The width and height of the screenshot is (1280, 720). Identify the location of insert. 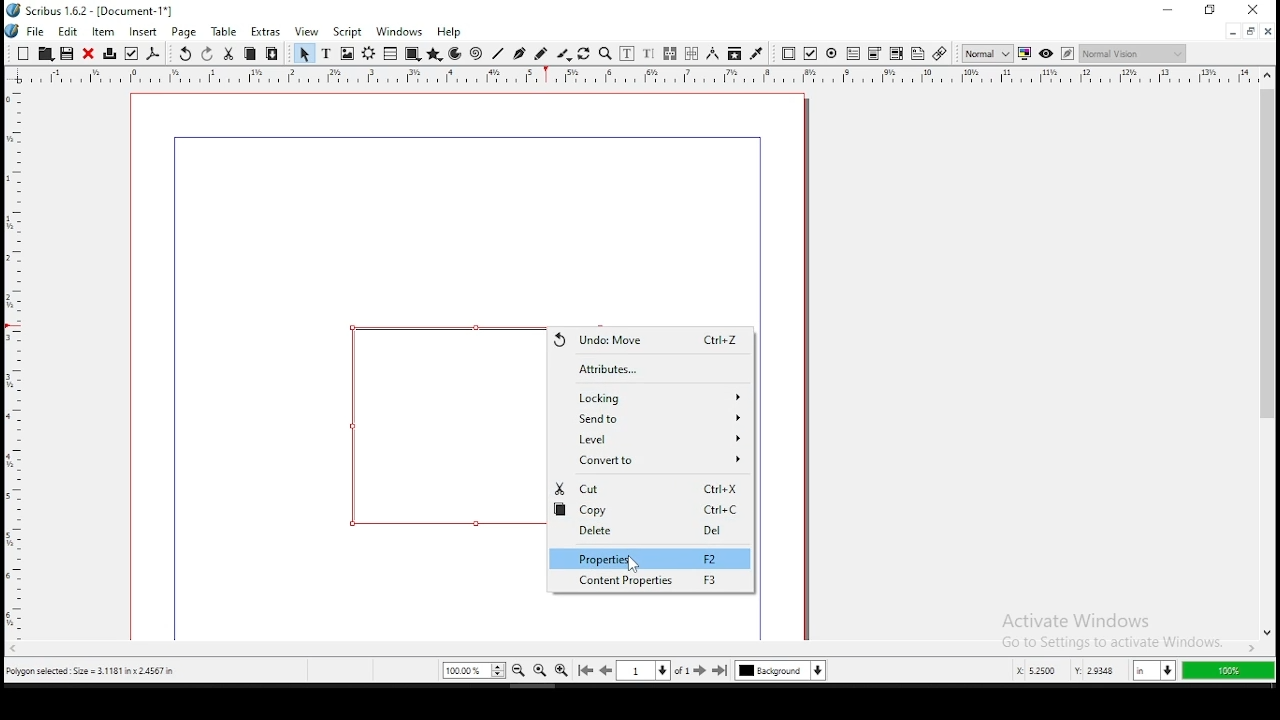
(144, 32).